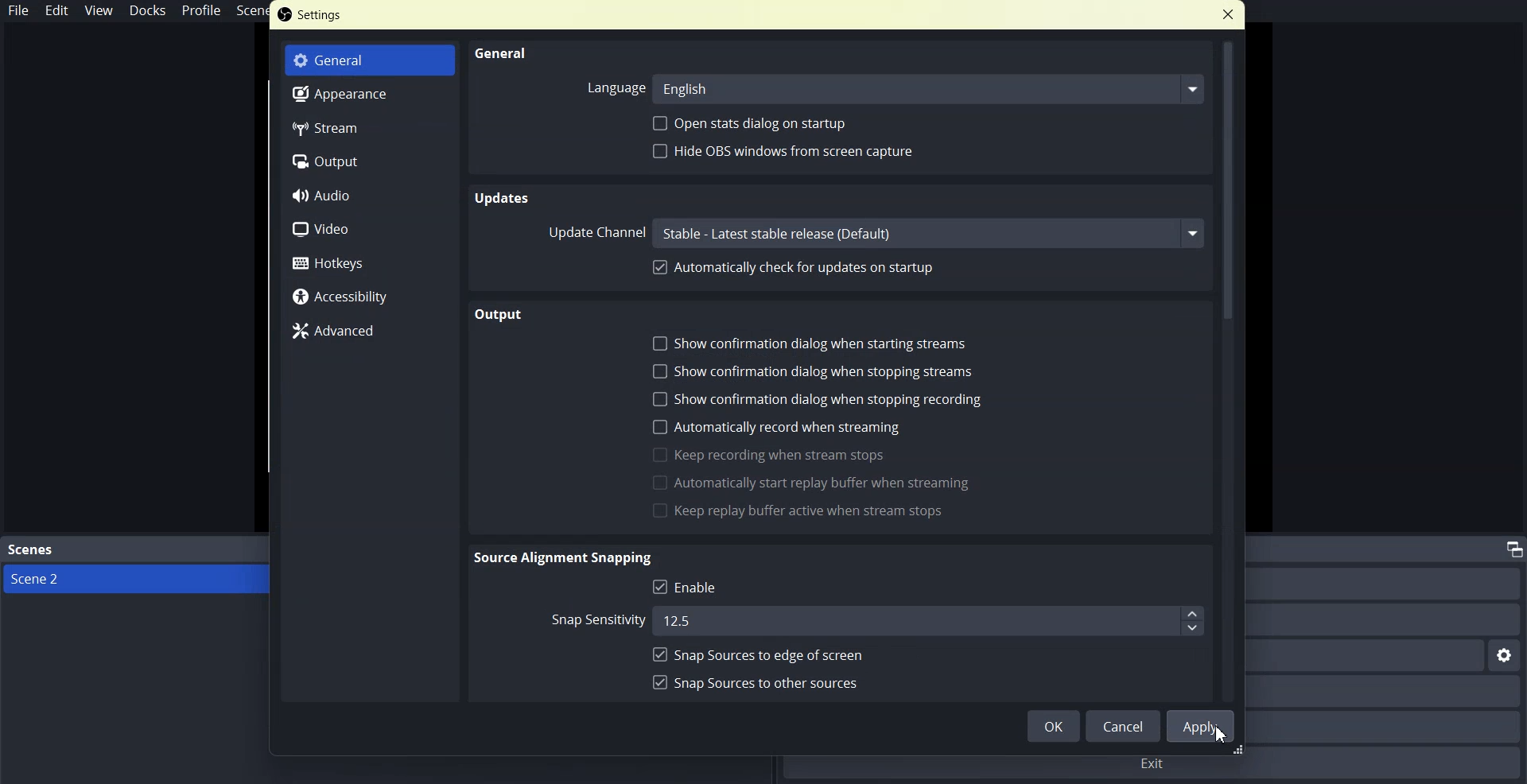  Describe the element at coordinates (99, 10) in the screenshot. I see `View` at that location.